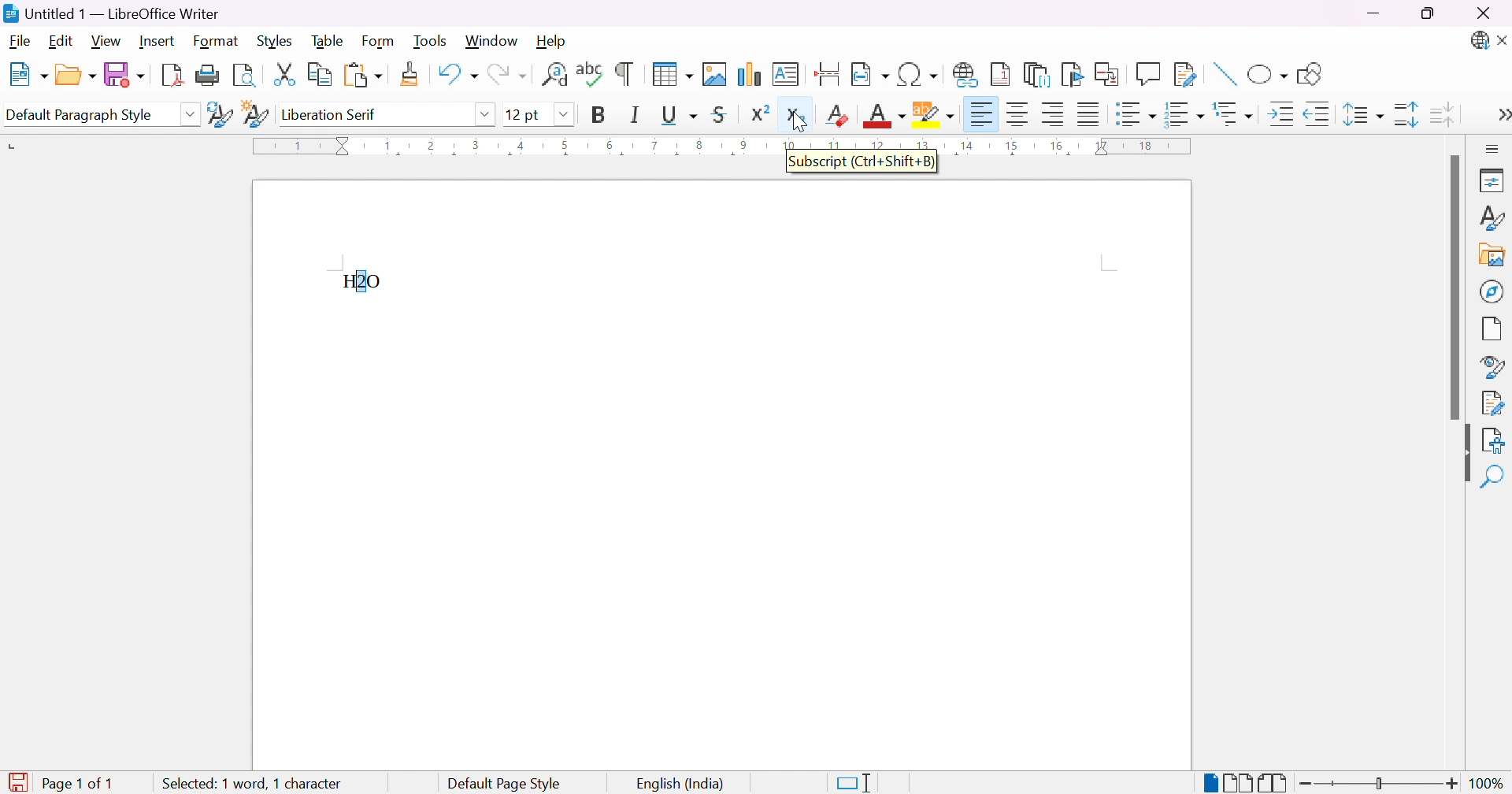  What do you see at coordinates (1186, 113) in the screenshot?
I see `Toggle ordered list` at bounding box center [1186, 113].